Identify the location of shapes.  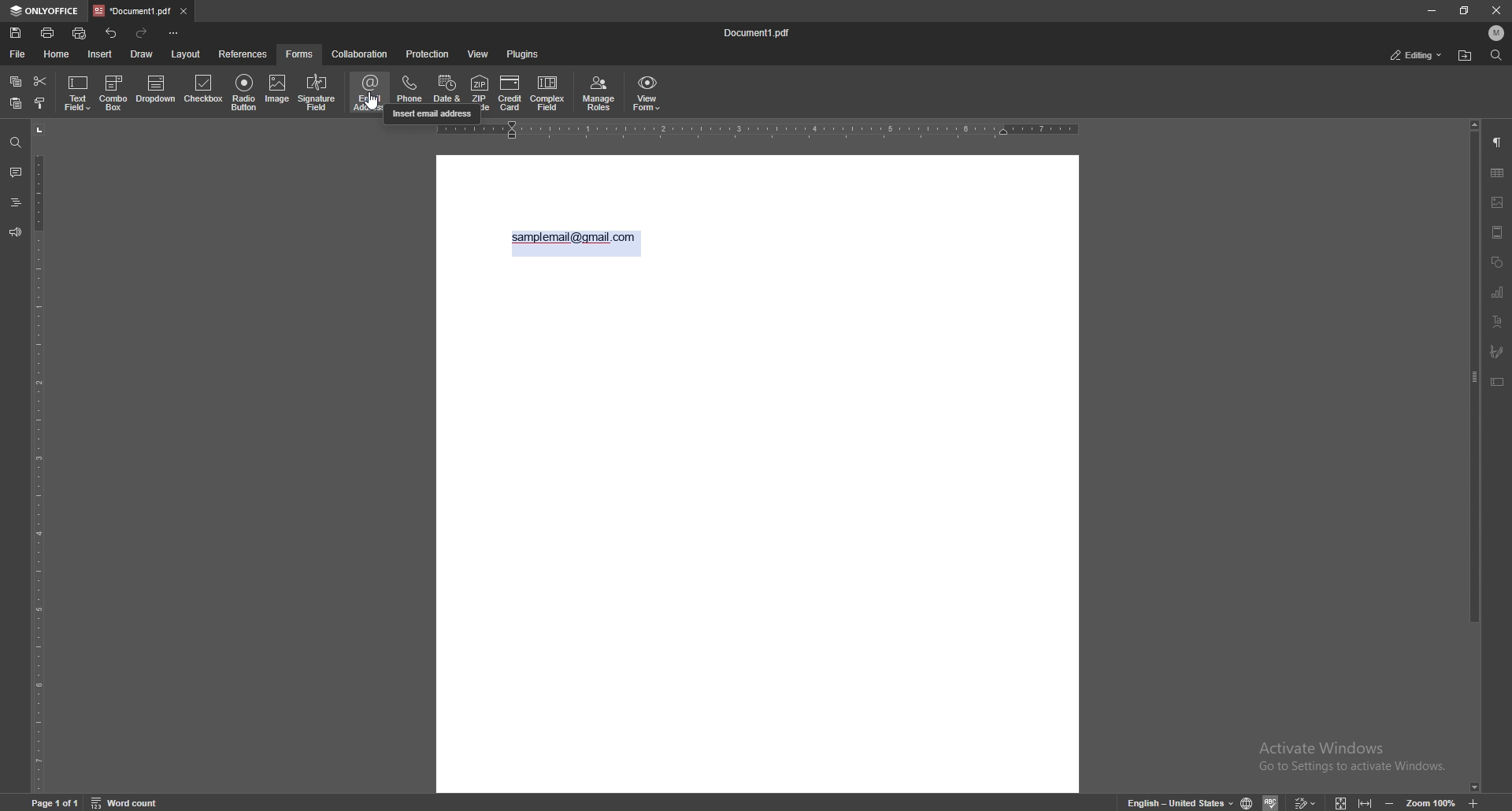
(1497, 261).